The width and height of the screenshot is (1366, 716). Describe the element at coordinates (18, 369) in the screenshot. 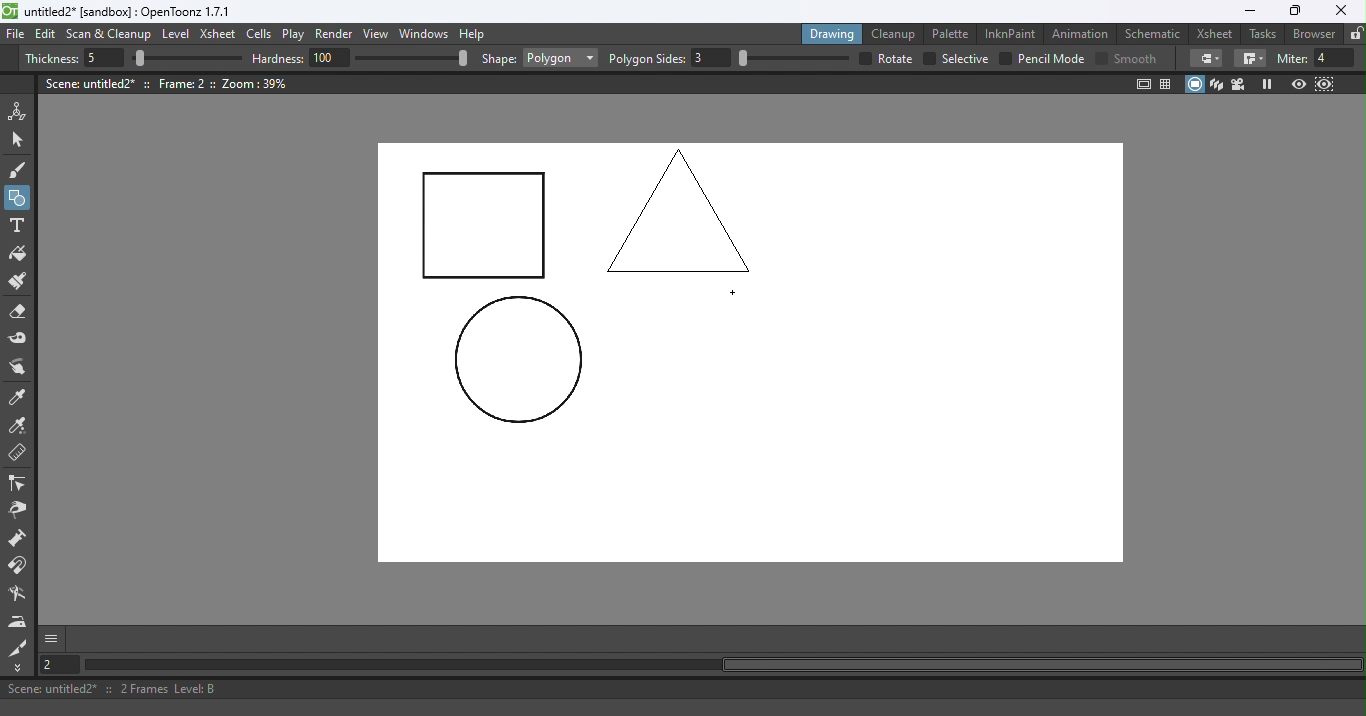

I see `Finger tool` at that location.